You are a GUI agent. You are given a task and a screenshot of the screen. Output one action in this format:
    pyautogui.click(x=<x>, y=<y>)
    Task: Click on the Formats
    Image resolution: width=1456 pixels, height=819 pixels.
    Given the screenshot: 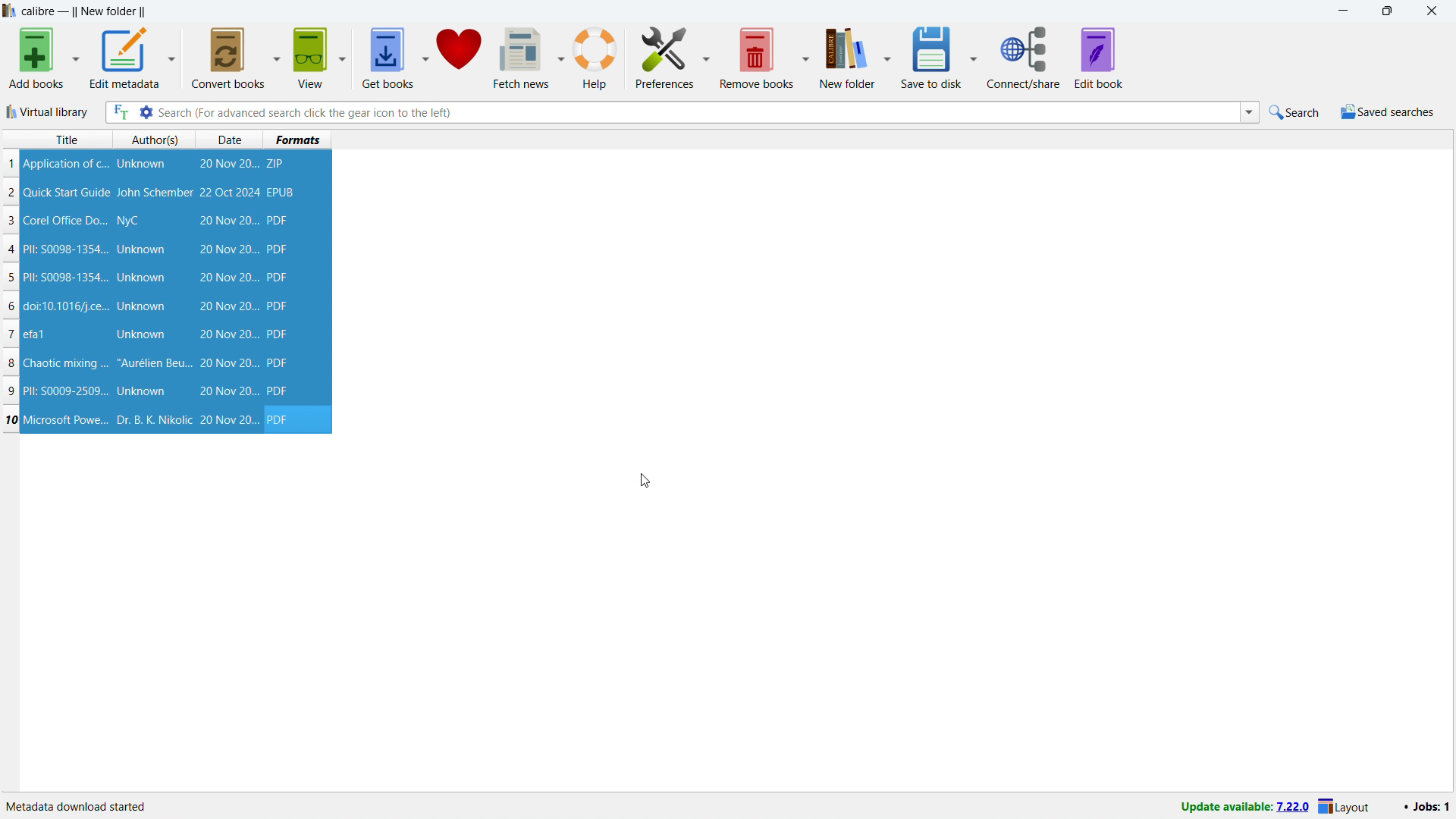 What is the action you would take?
    pyautogui.click(x=298, y=139)
    